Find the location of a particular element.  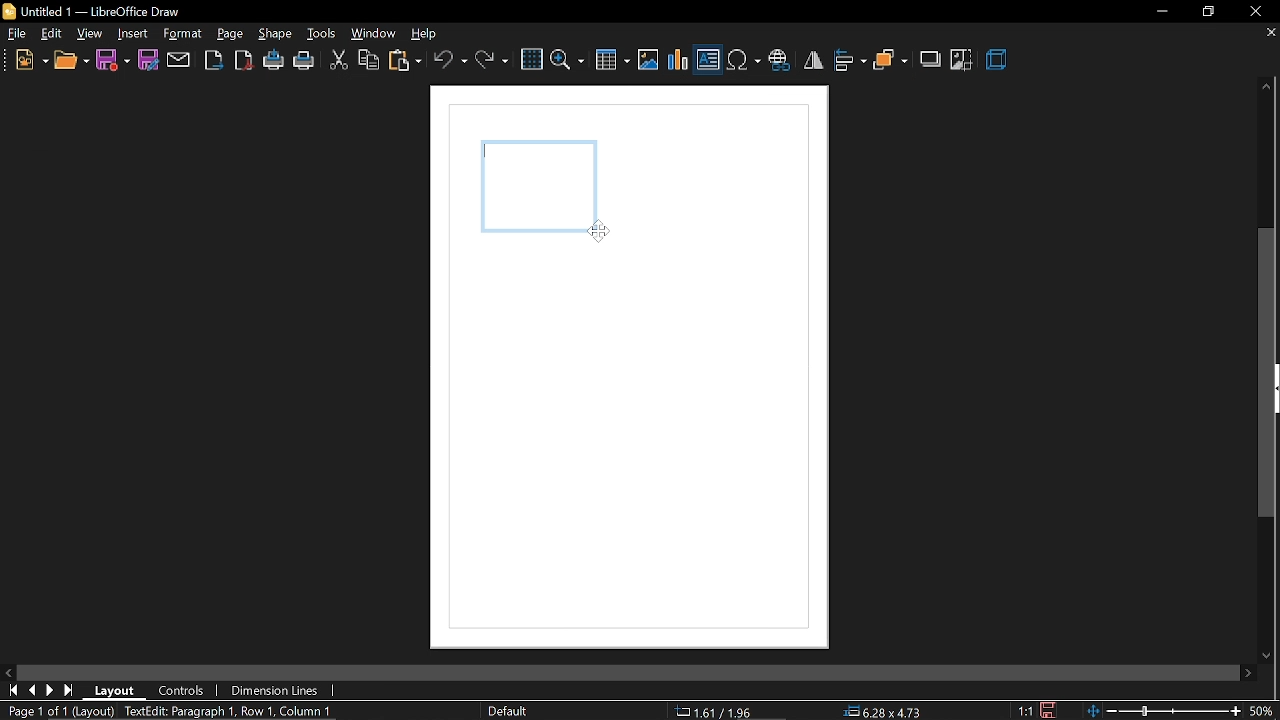

file is located at coordinates (18, 36).